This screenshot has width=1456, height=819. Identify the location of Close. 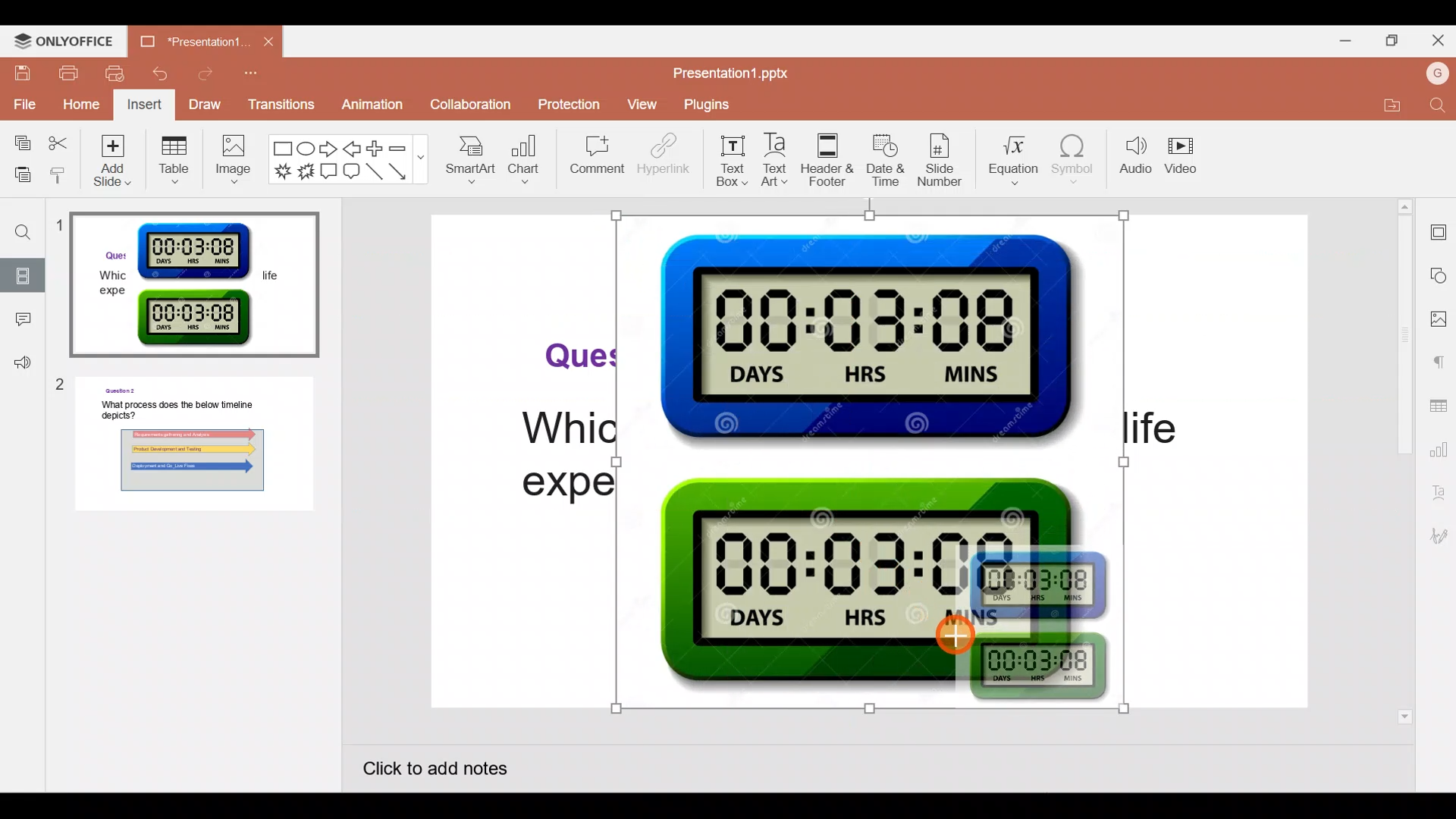
(1437, 41).